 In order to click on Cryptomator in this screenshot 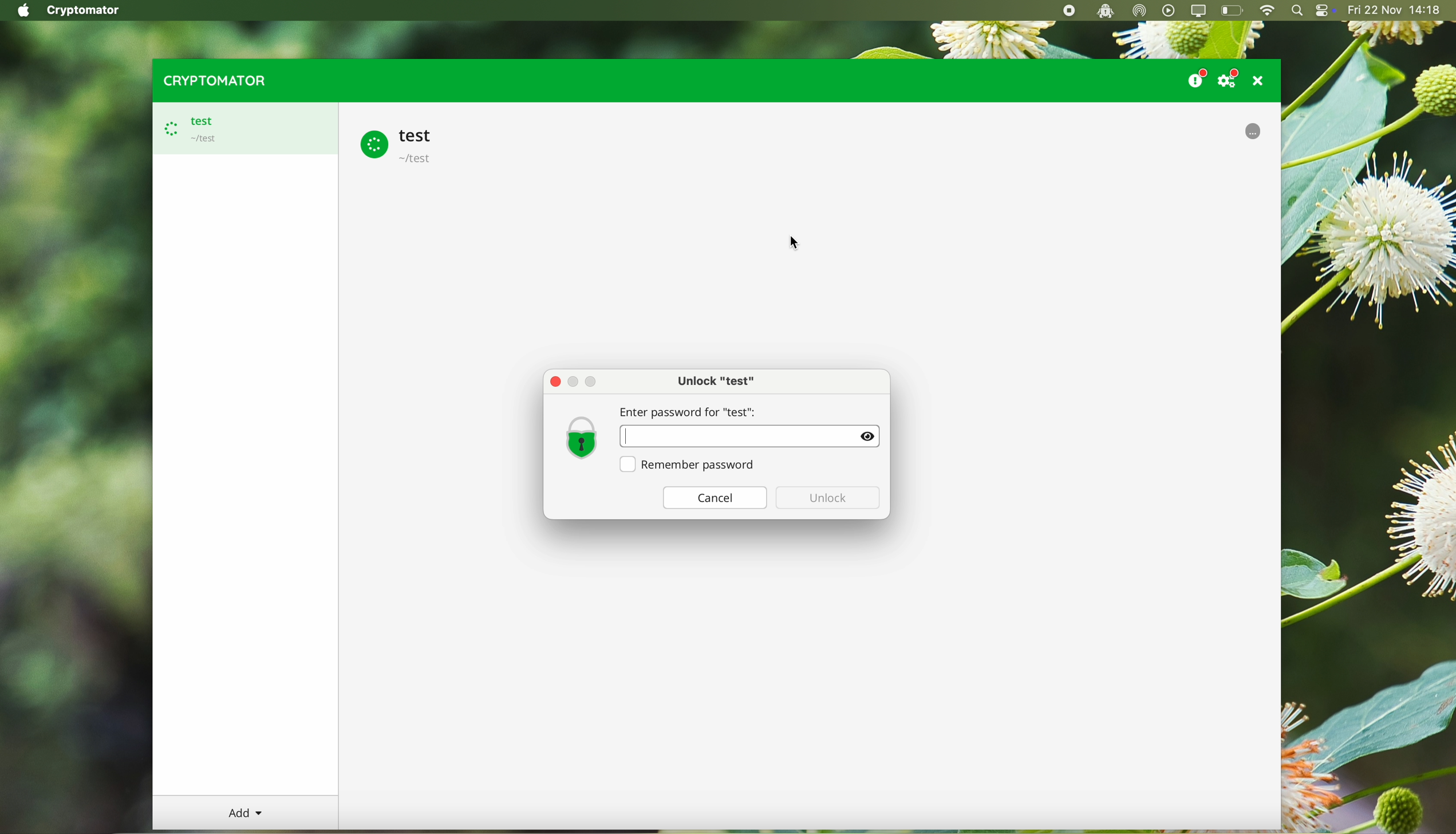, I will do `click(85, 11)`.